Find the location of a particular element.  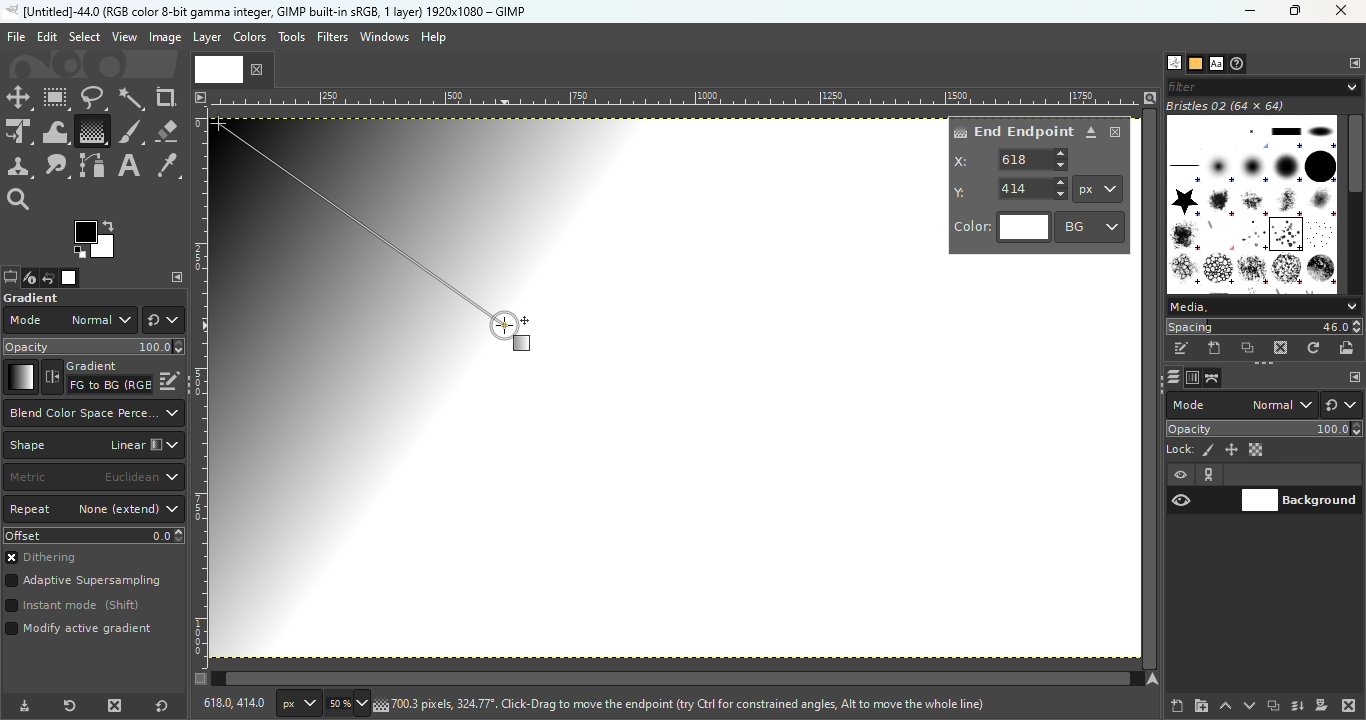

Smudge tool is located at coordinates (57, 166).